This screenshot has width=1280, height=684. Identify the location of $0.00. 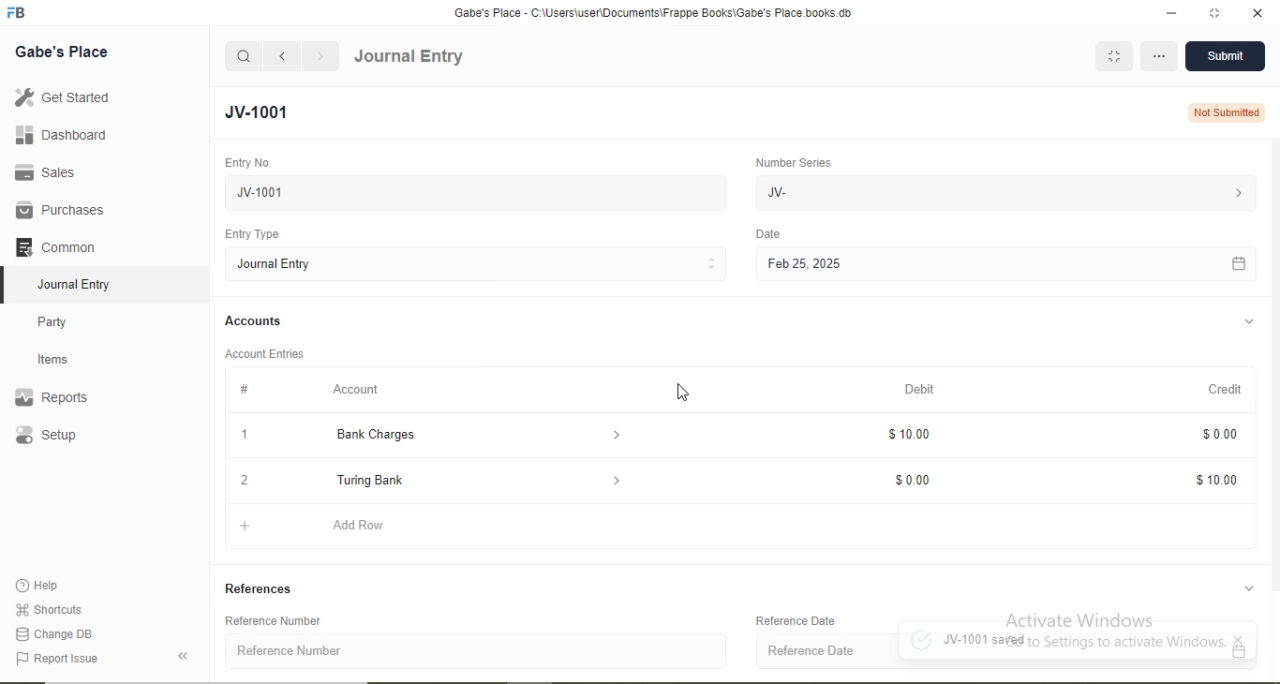
(1217, 434).